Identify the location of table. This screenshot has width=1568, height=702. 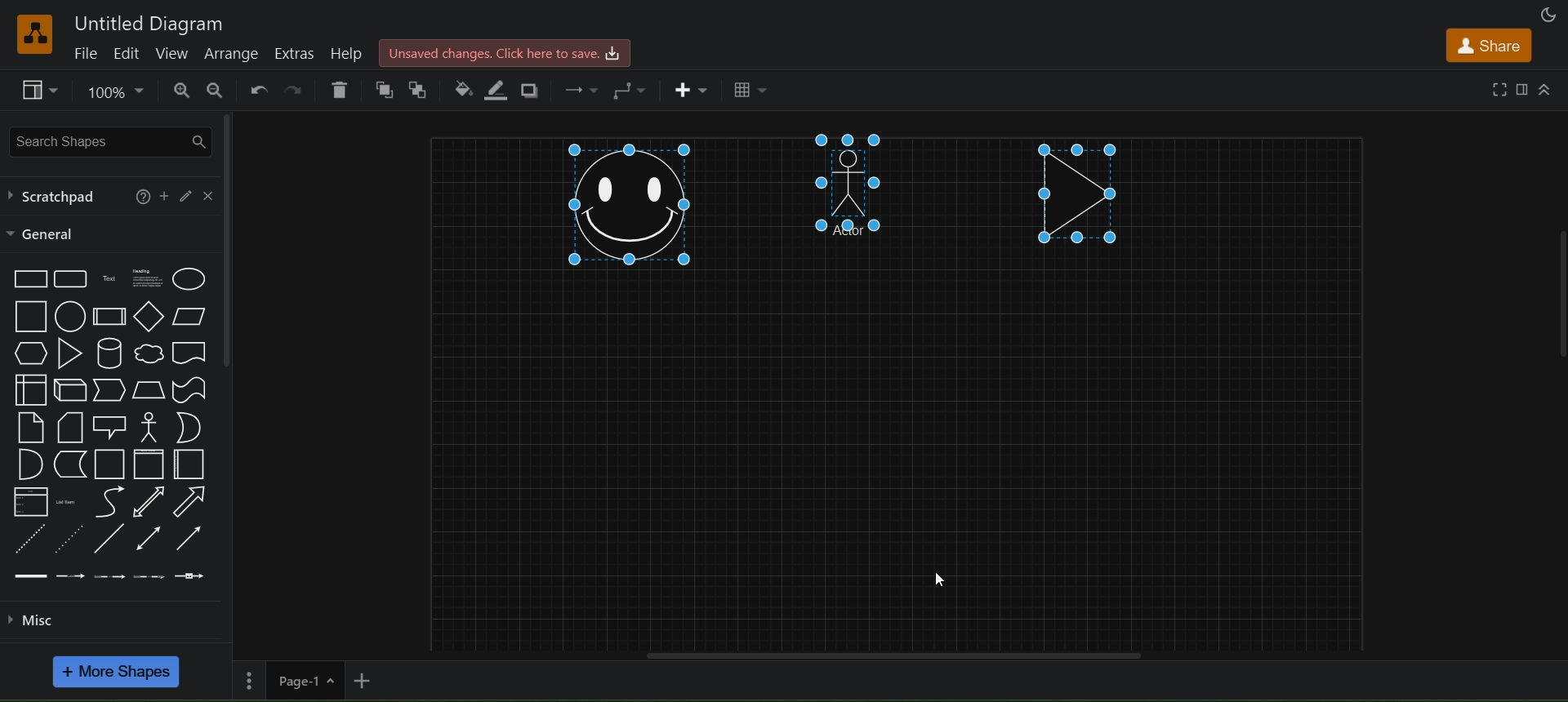
(750, 91).